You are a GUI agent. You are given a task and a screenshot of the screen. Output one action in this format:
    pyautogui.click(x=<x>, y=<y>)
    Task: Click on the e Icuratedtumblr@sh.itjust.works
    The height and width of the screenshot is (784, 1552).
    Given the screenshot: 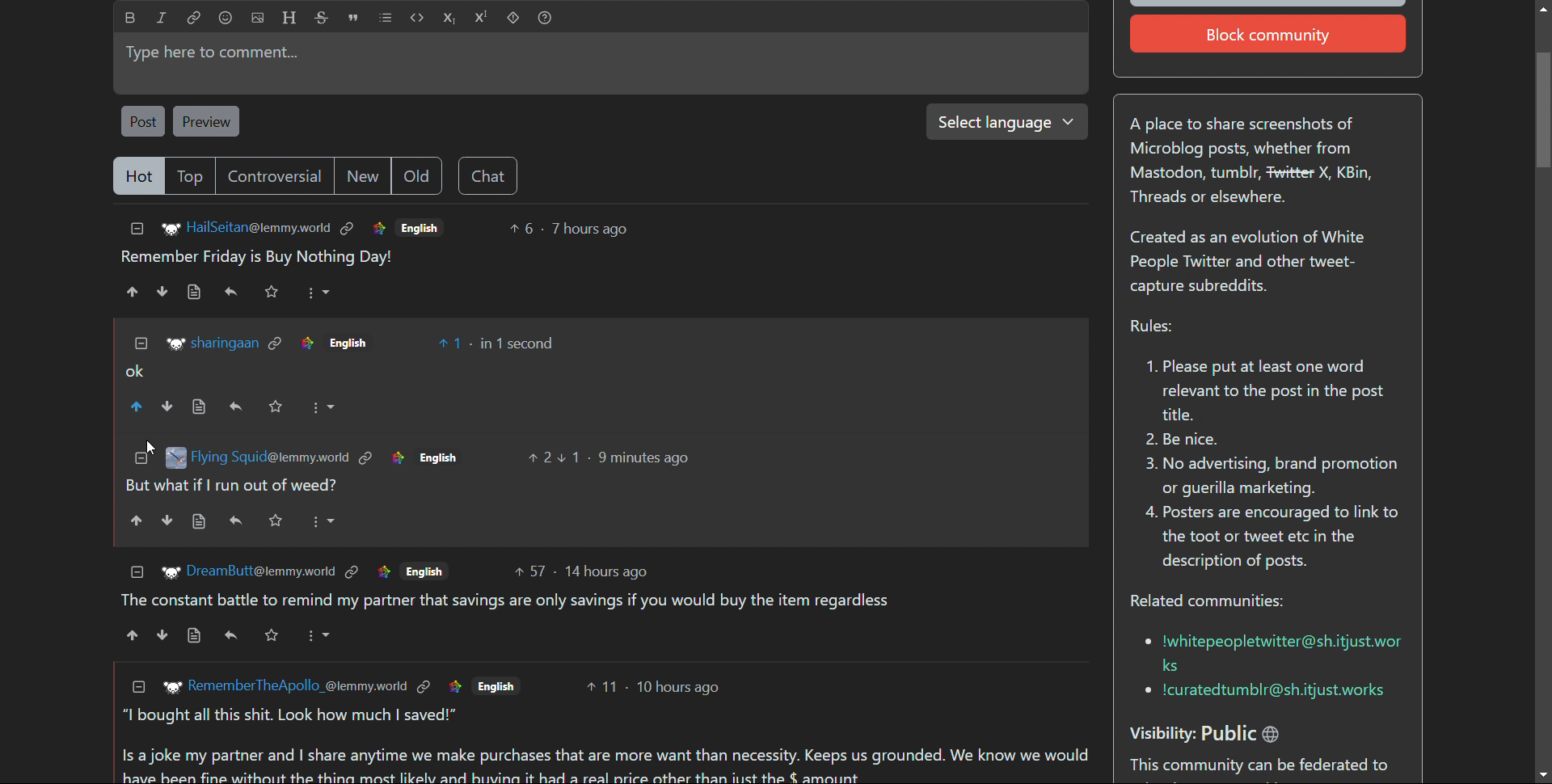 What is the action you would take?
    pyautogui.click(x=1270, y=692)
    